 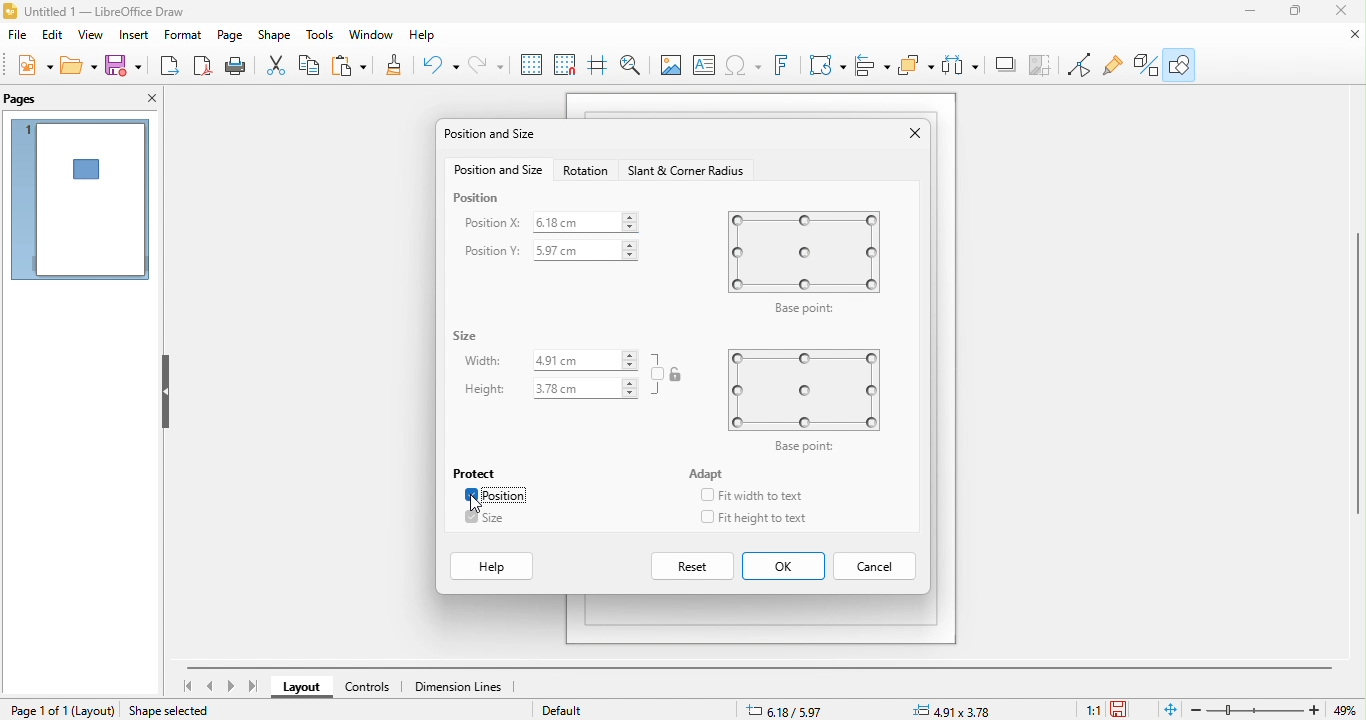 I want to click on start and corner radious, so click(x=689, y=172).